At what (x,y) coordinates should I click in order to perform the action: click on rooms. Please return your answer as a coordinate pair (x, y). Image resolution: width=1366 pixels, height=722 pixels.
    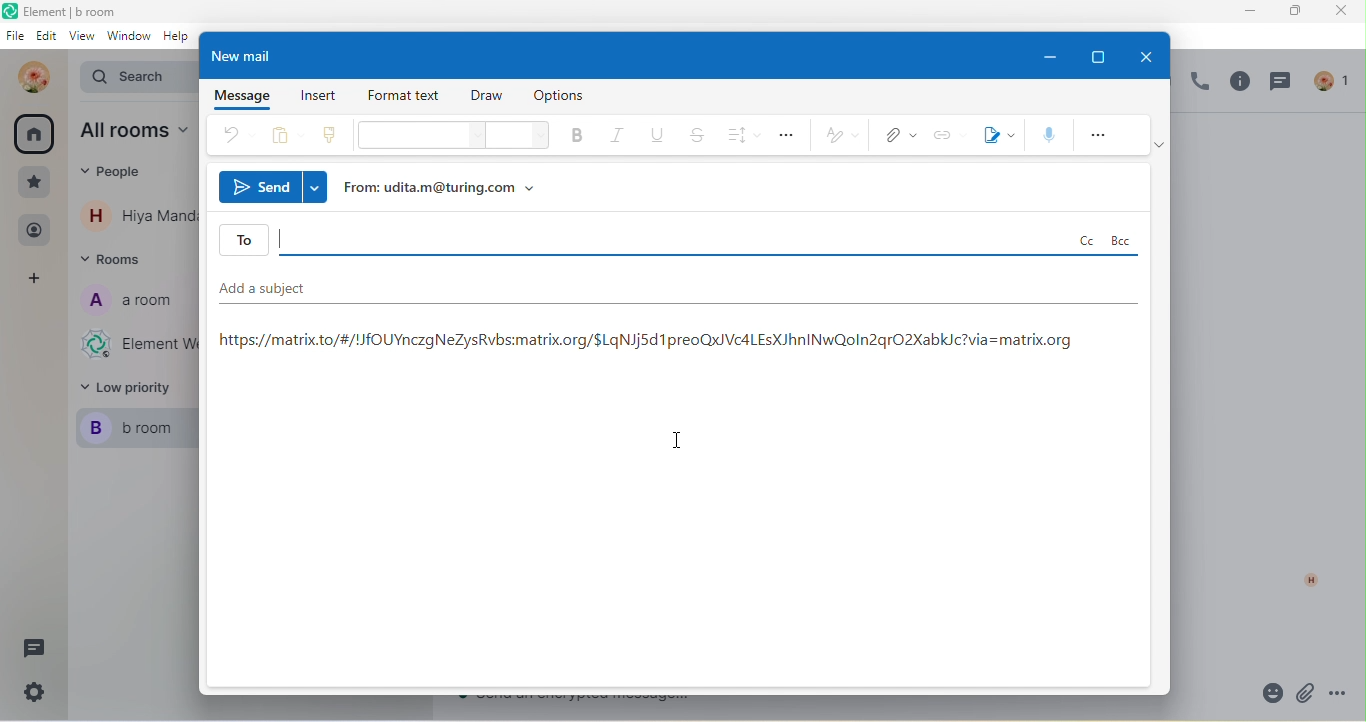
    Looking at the image, I should click on (116, 264).